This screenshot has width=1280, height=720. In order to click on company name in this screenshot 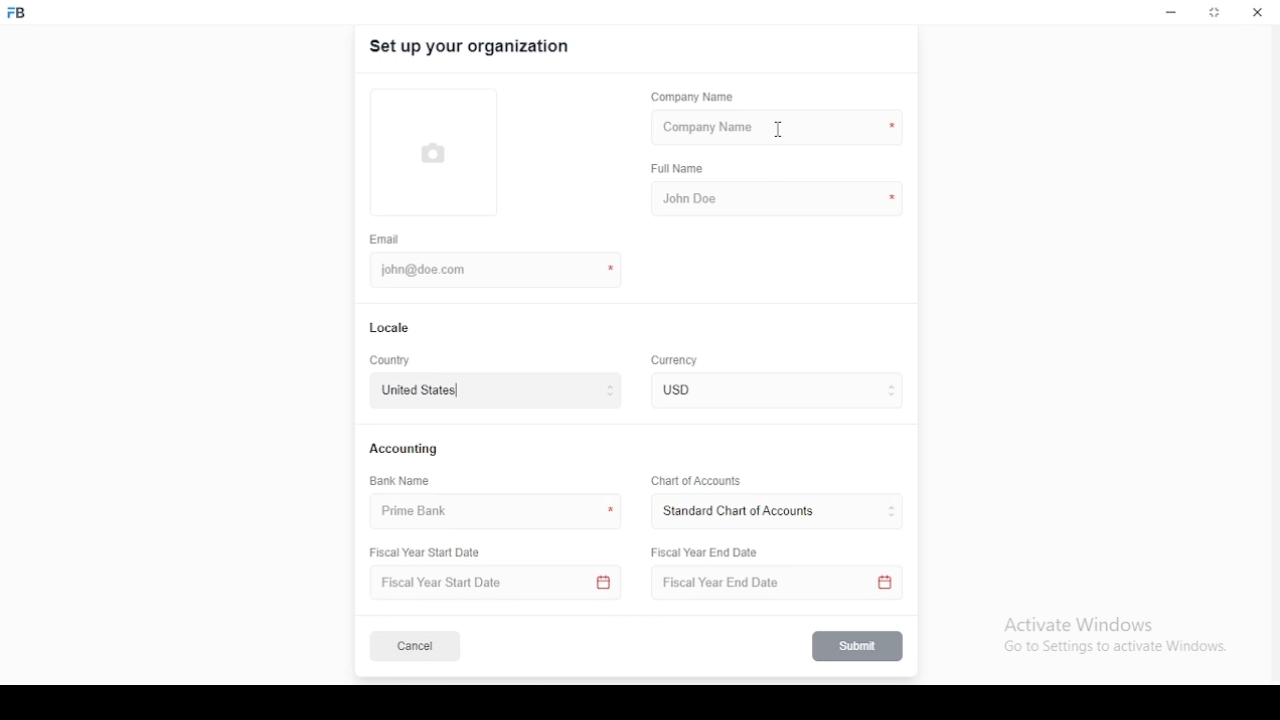, I will do `click(779, 128)`.